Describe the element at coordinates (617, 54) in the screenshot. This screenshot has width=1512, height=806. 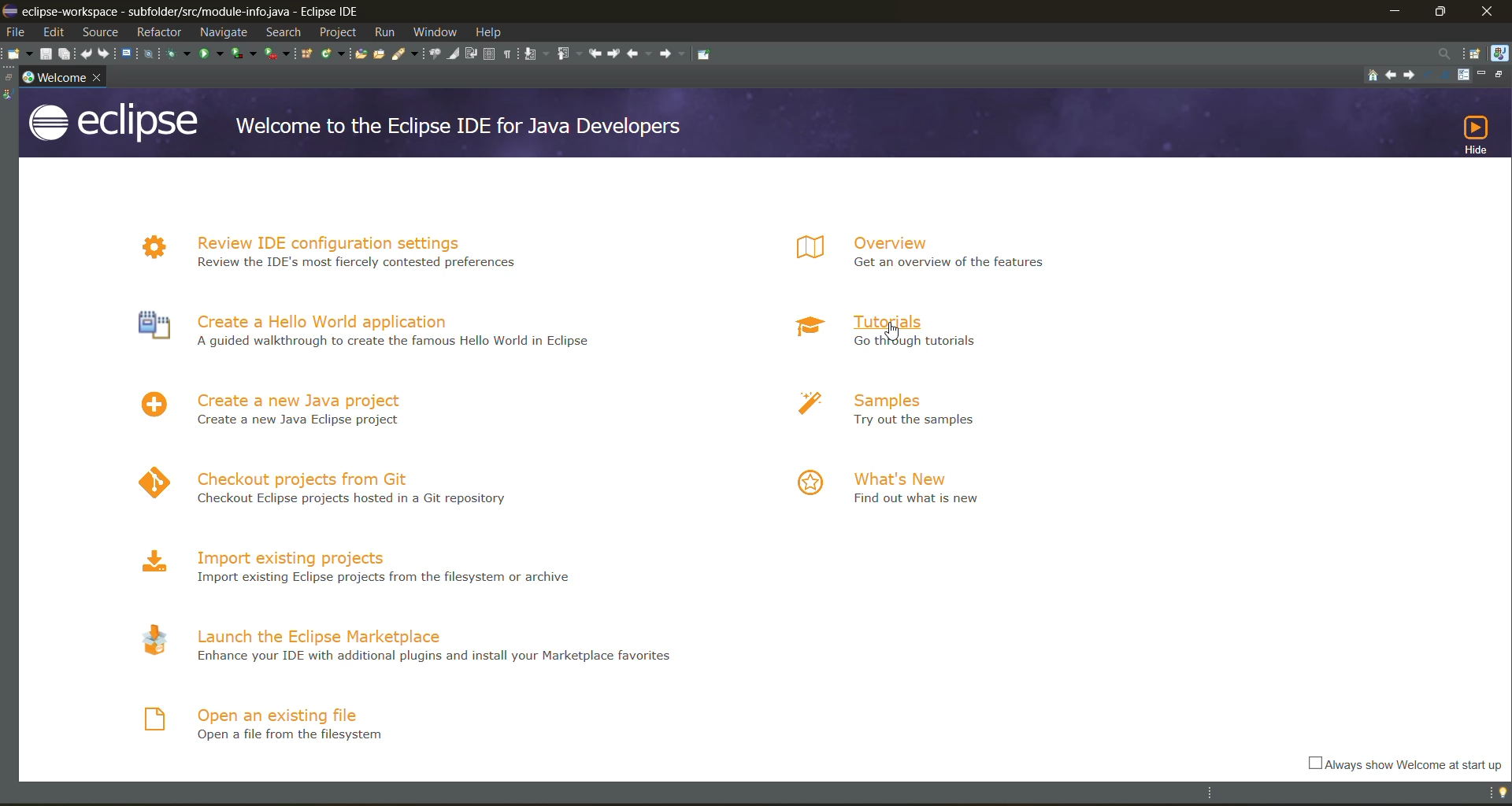
I see `next edit location` at that location.